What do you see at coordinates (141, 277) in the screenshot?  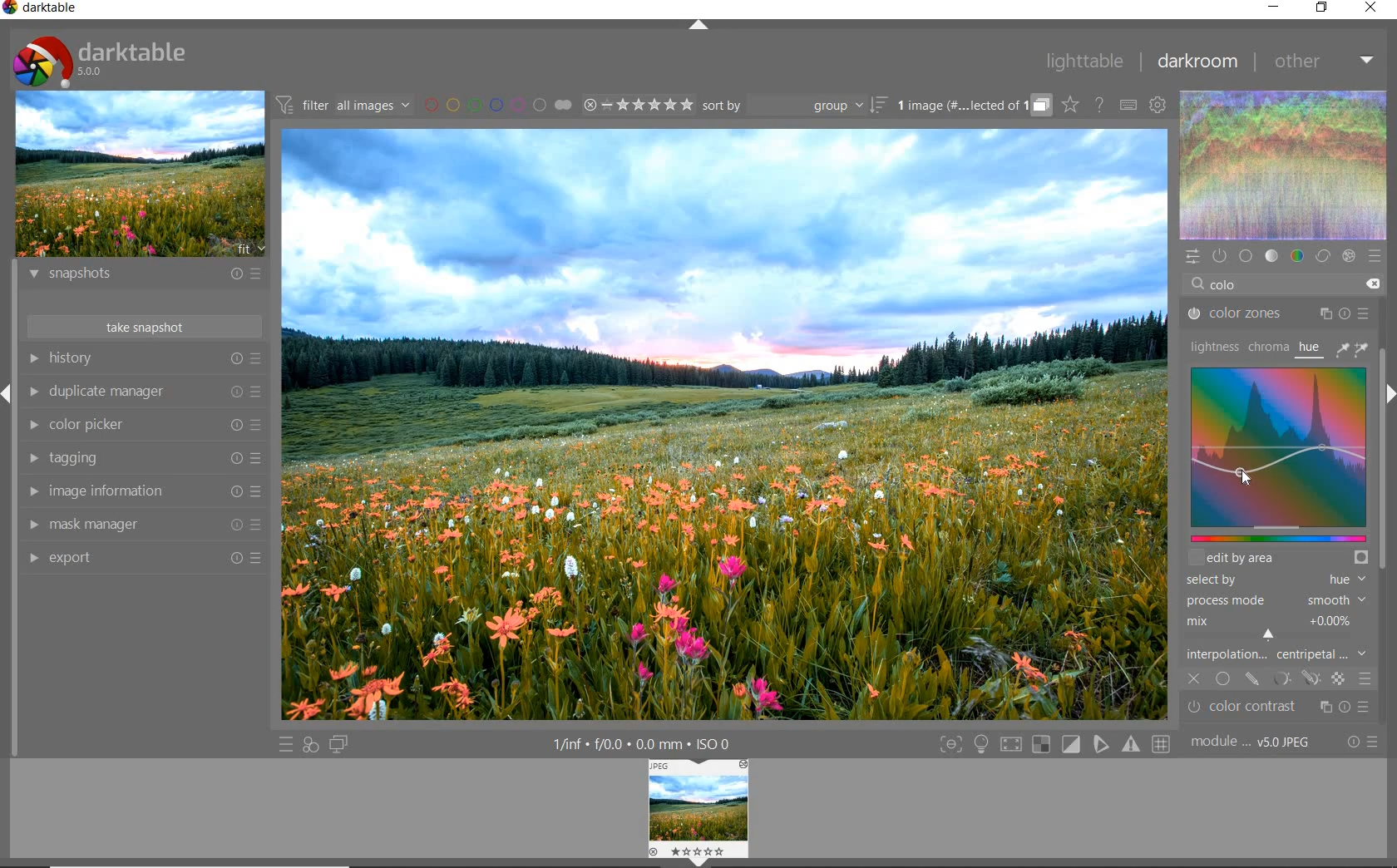 I see `snapshots` at bounding box center [141, 277].